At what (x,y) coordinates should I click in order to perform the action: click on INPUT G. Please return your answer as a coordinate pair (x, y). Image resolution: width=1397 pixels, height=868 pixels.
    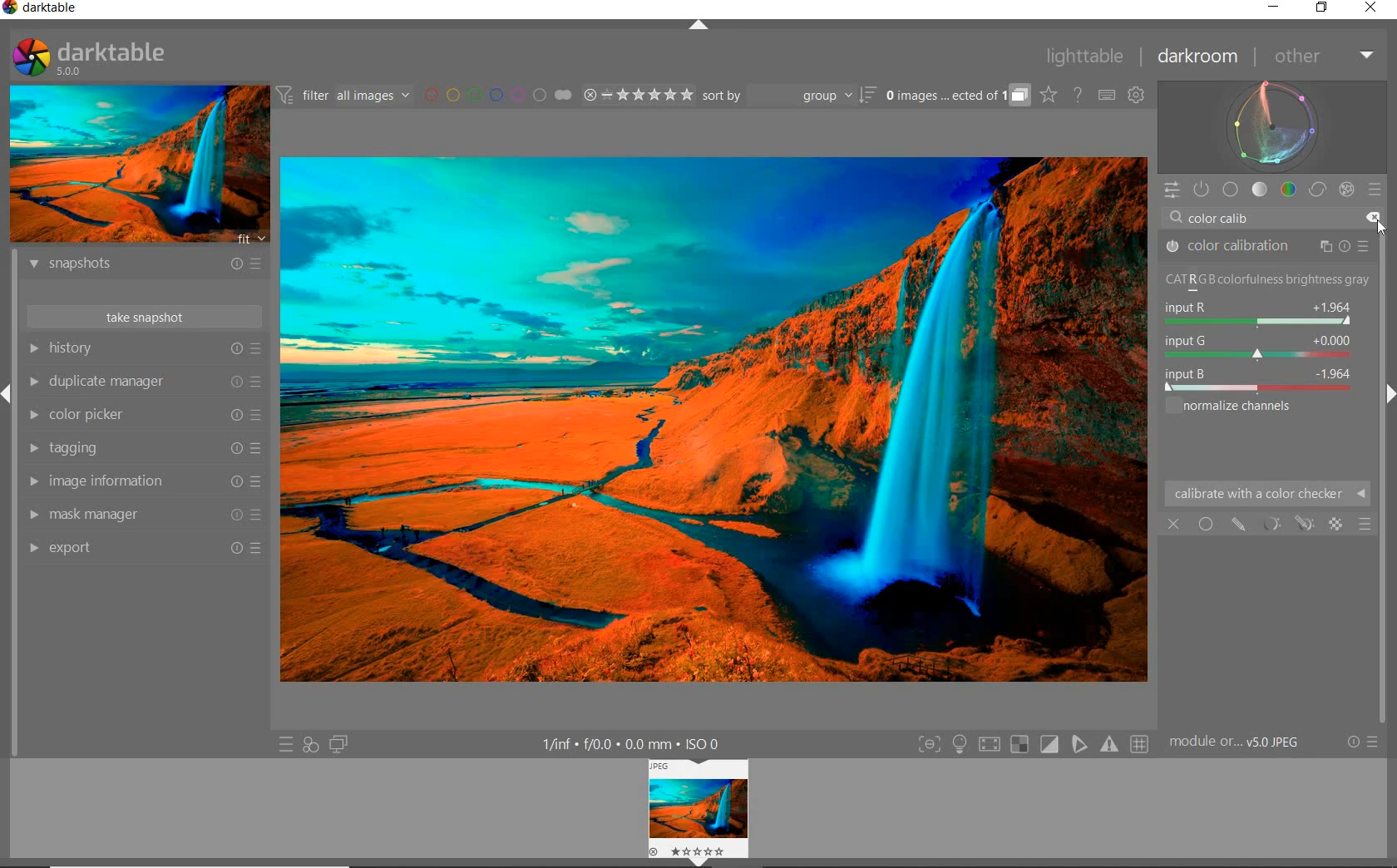
    Looking at the image, I should click on (1255, 346).